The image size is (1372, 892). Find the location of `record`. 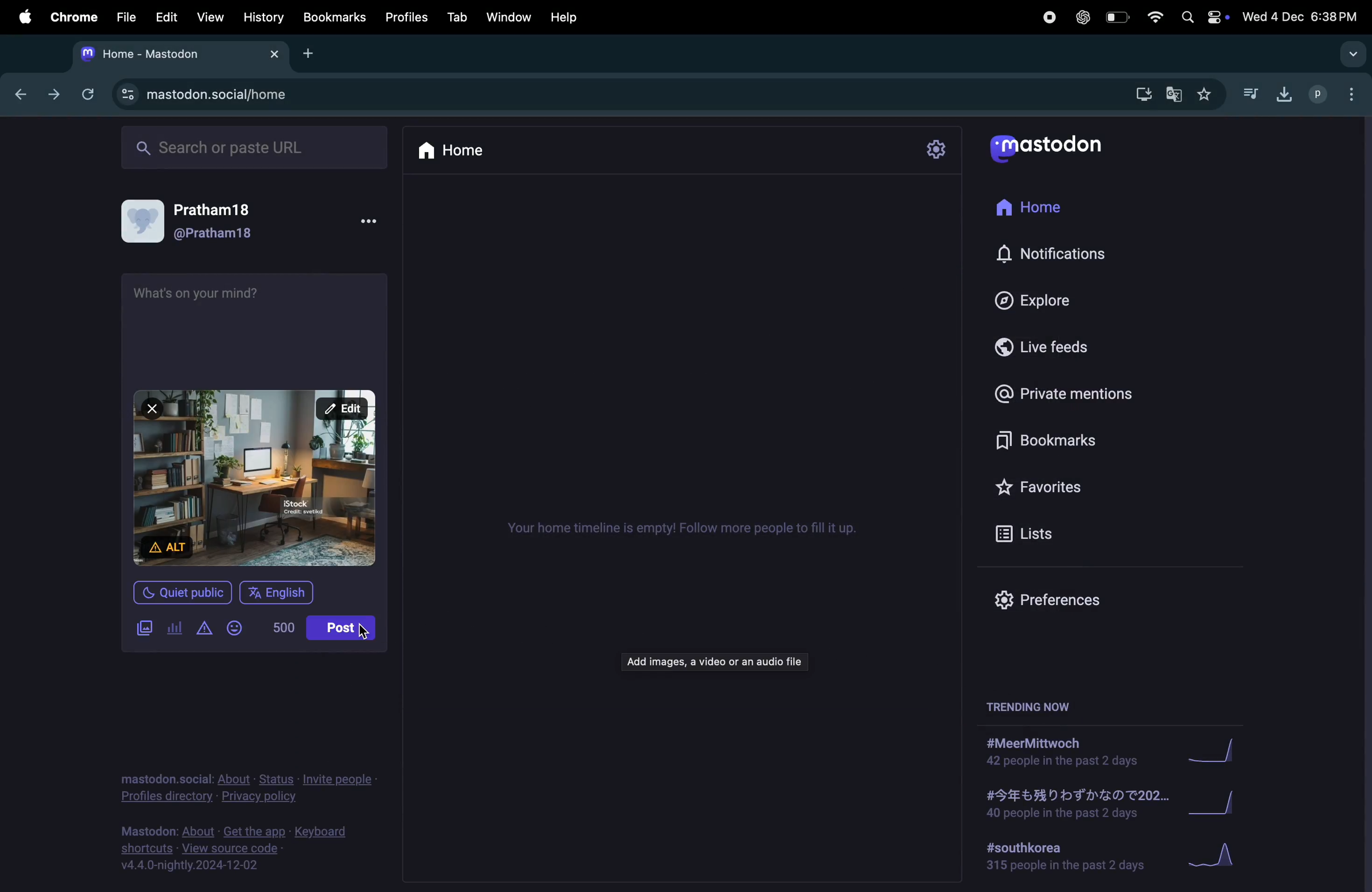

record is located at coordinates (1048, 17).